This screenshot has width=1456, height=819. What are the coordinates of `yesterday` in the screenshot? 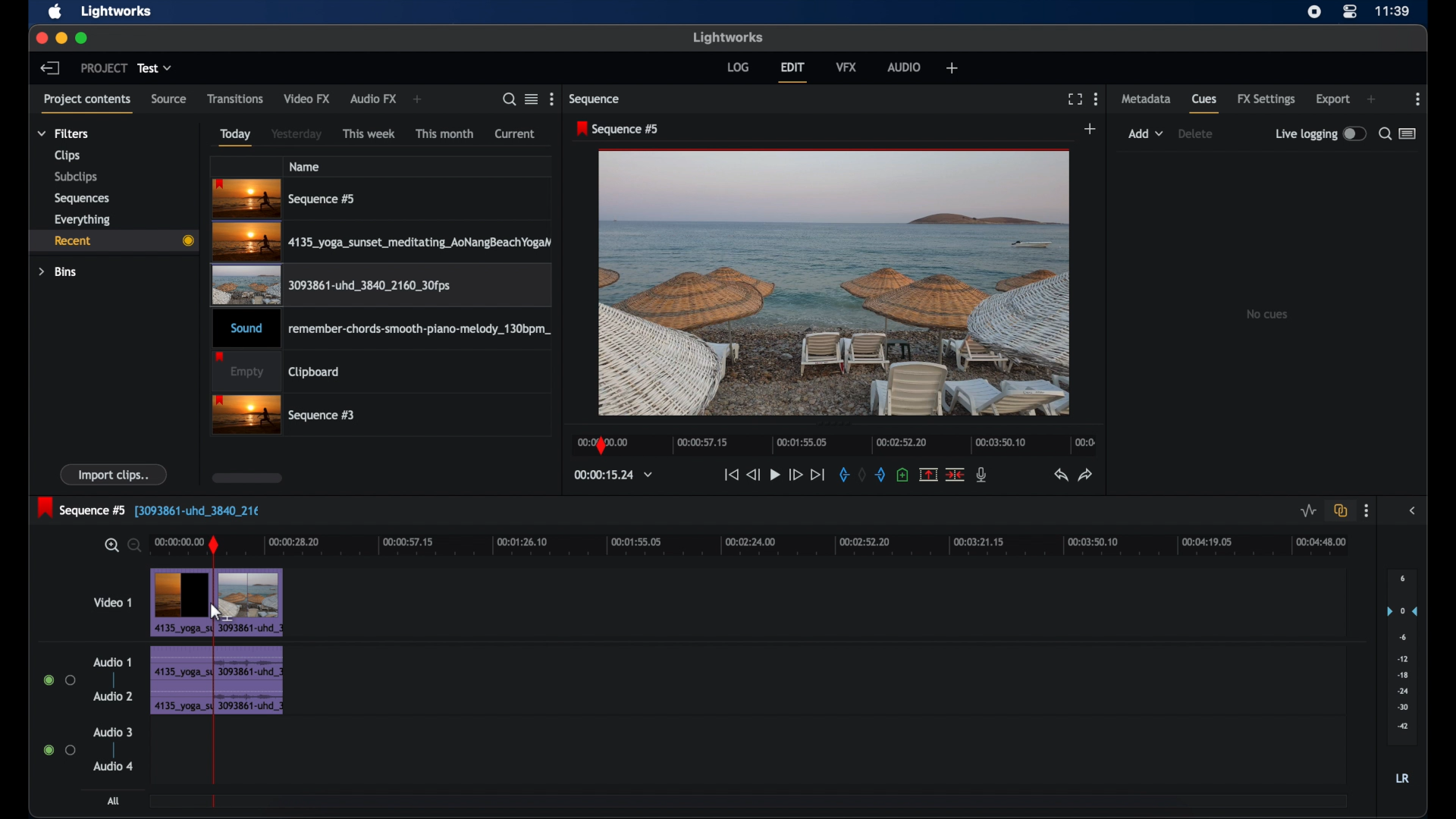 It's located at (296, 133).